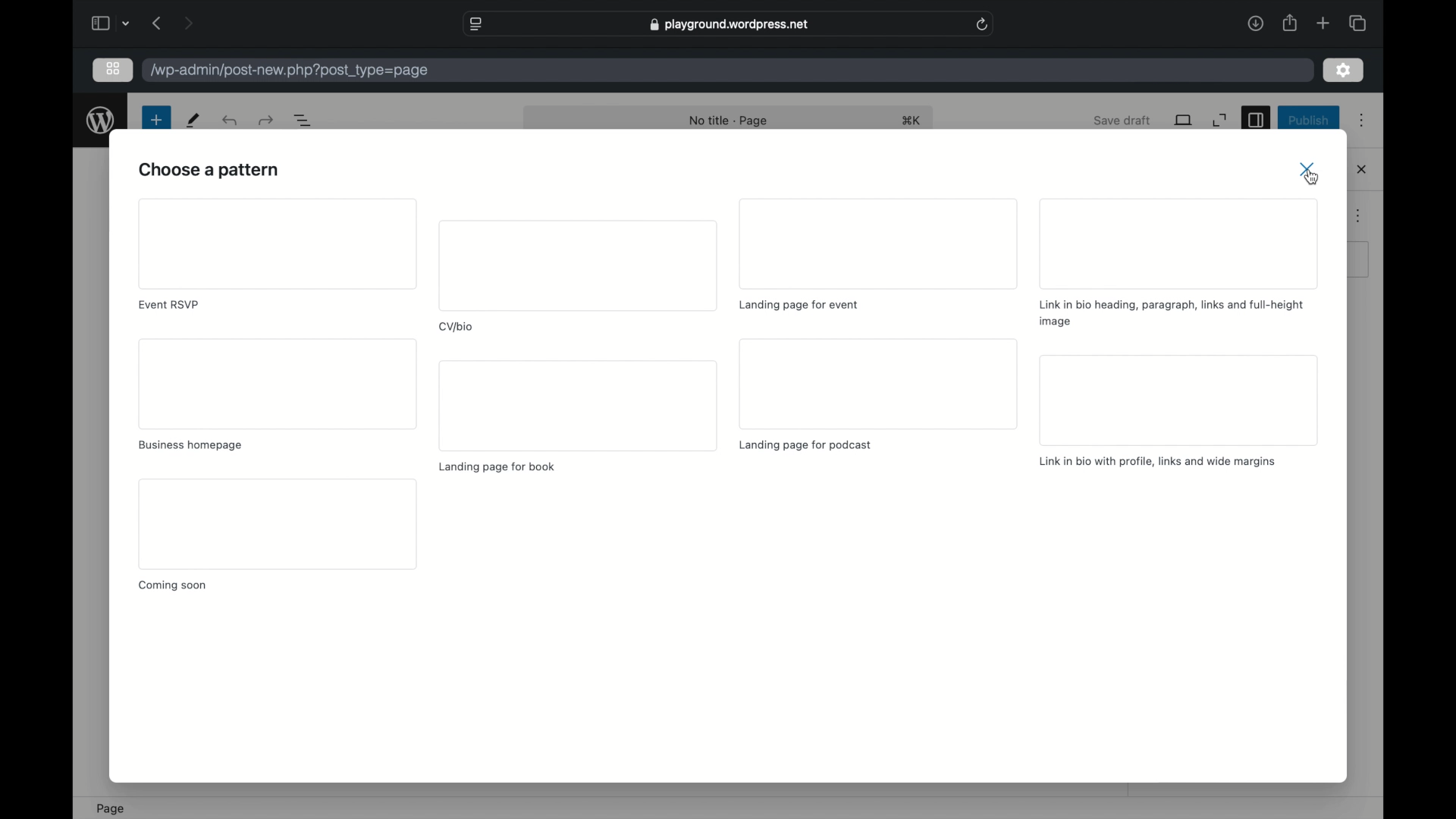 The width and height of the screenshot is (1456, 819). What do you see at coordinates (231, 121) in the screenshot?
I see `redo` at bounding box center [231, 121].